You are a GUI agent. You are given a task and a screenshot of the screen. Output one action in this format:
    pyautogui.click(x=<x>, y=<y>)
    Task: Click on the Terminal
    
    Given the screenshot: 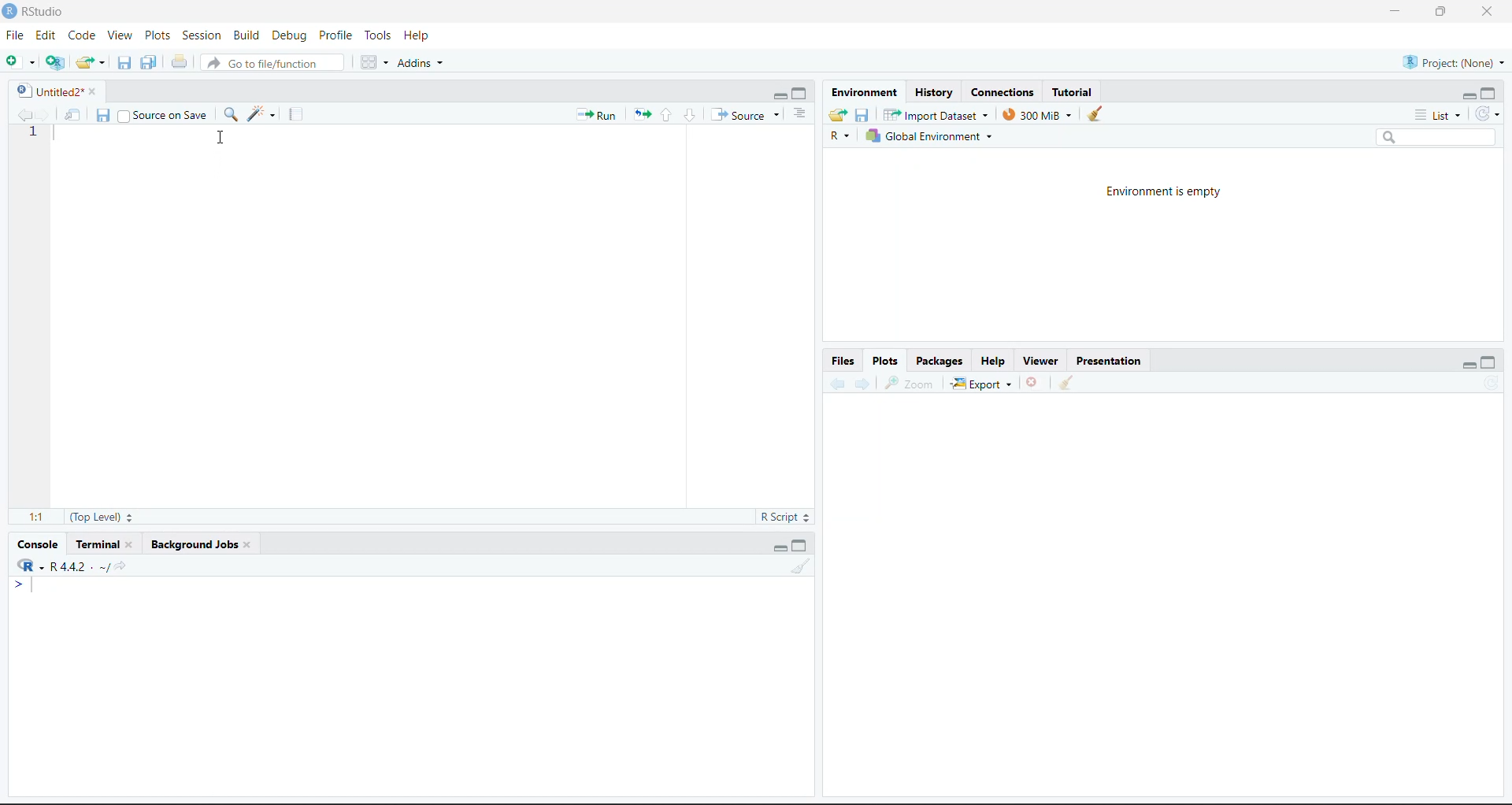 What is the action you would take?
    pyautogui.click(x=103, y=545)
    